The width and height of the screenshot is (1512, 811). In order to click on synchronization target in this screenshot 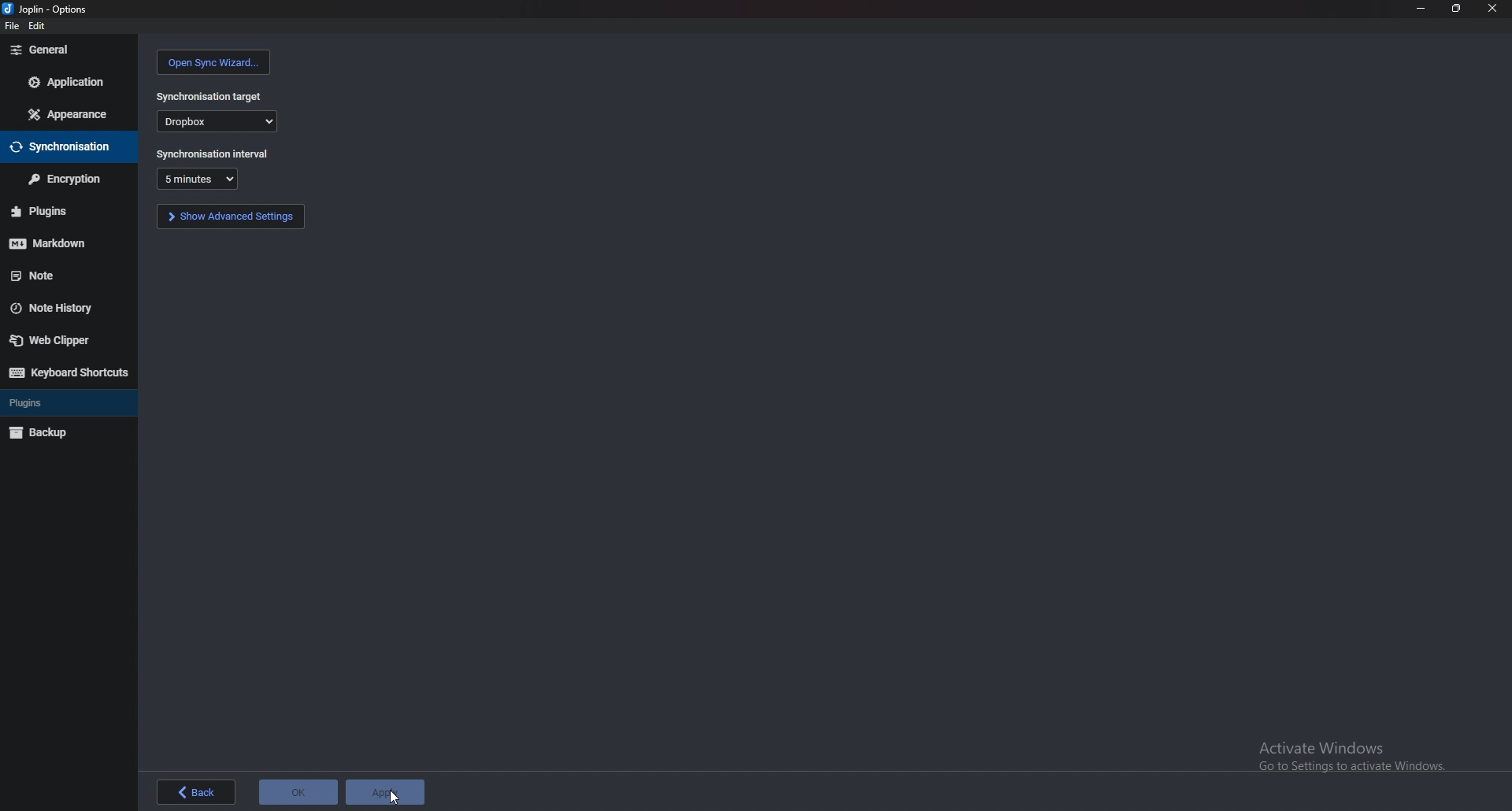, I will do `click(211, 96)`.